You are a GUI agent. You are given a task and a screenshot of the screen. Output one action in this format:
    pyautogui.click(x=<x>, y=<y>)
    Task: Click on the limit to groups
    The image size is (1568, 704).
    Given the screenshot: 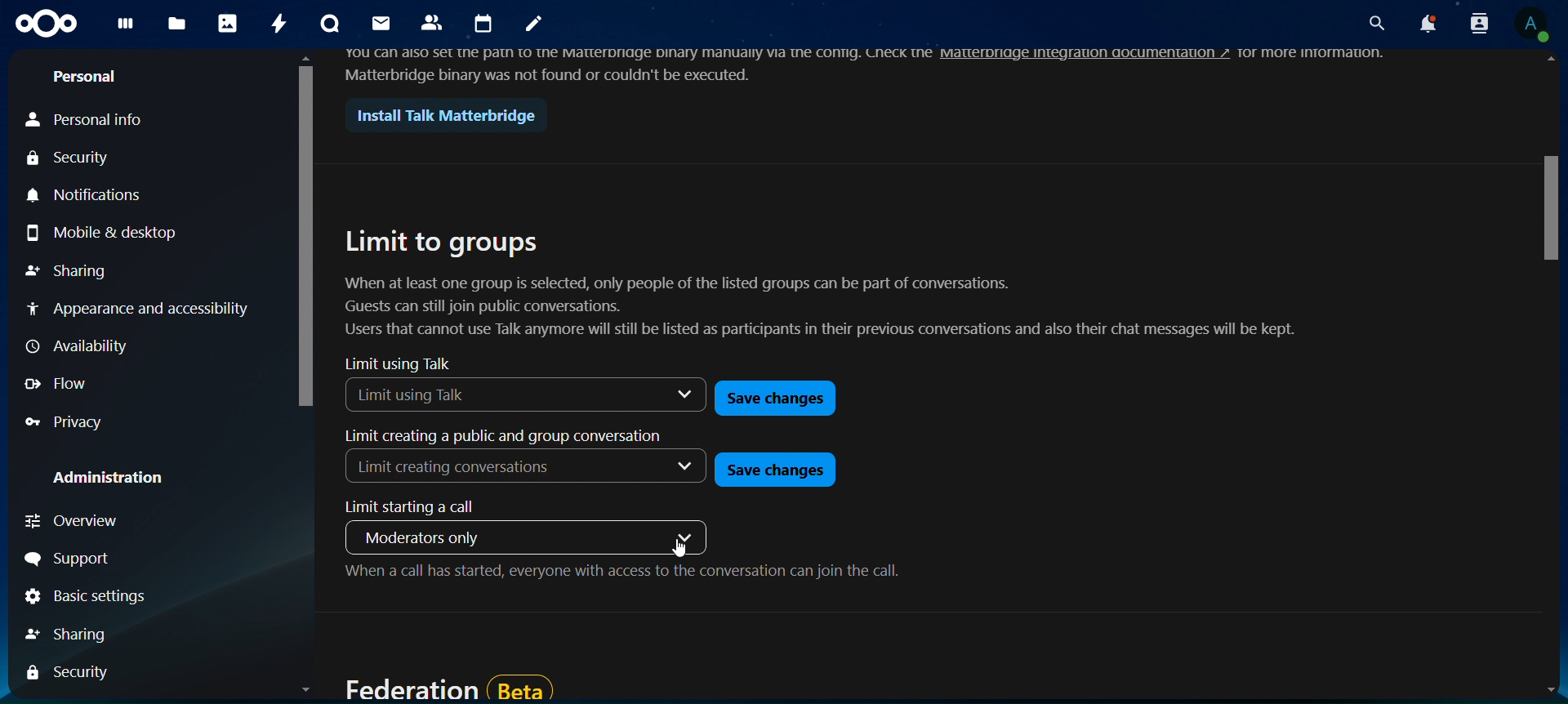 What is the action you would take?
    pyautogui.click(x=835, y=284)
    